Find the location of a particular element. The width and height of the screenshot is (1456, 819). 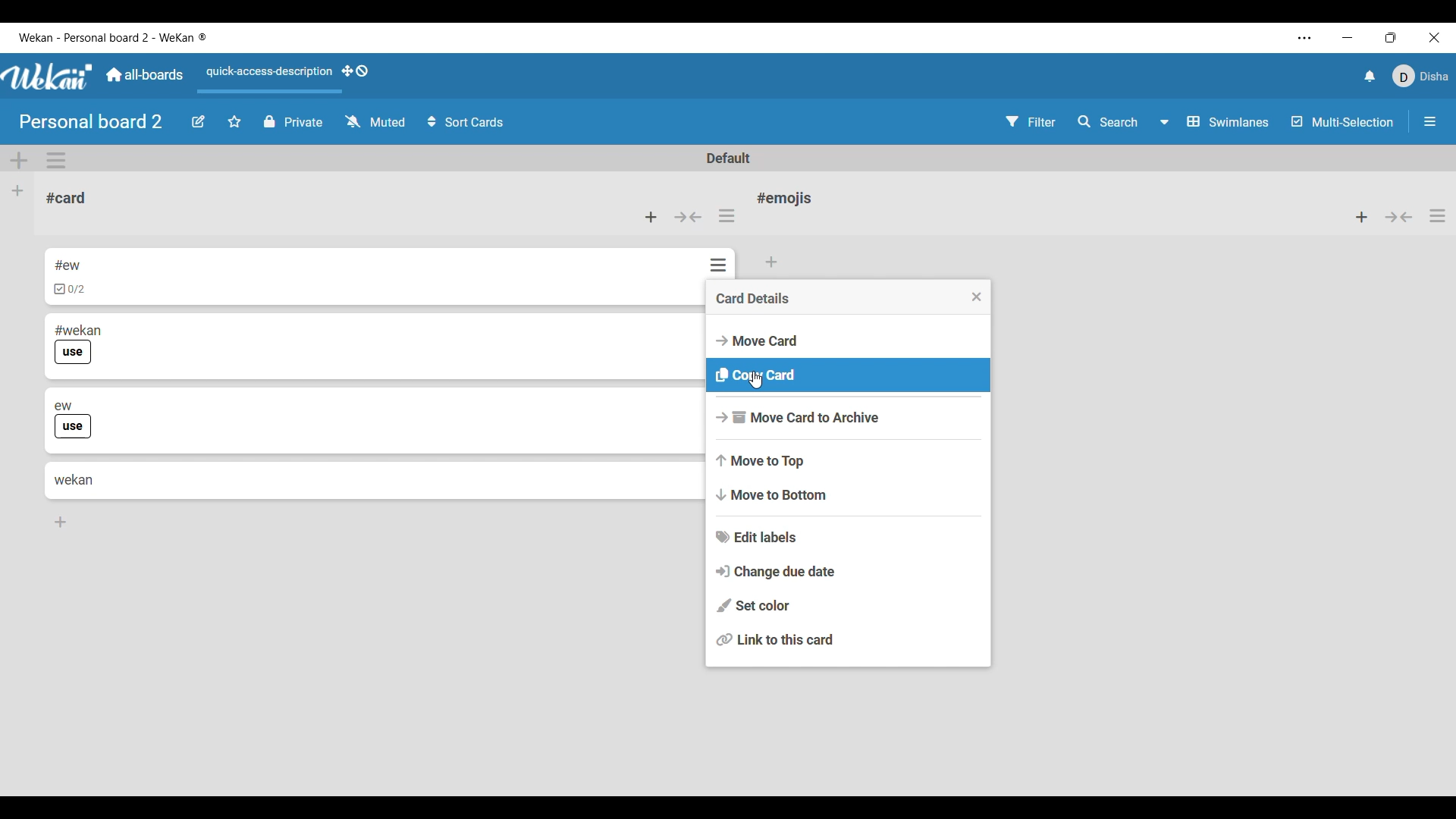

Minimize is located at coordinates (1348, 37).